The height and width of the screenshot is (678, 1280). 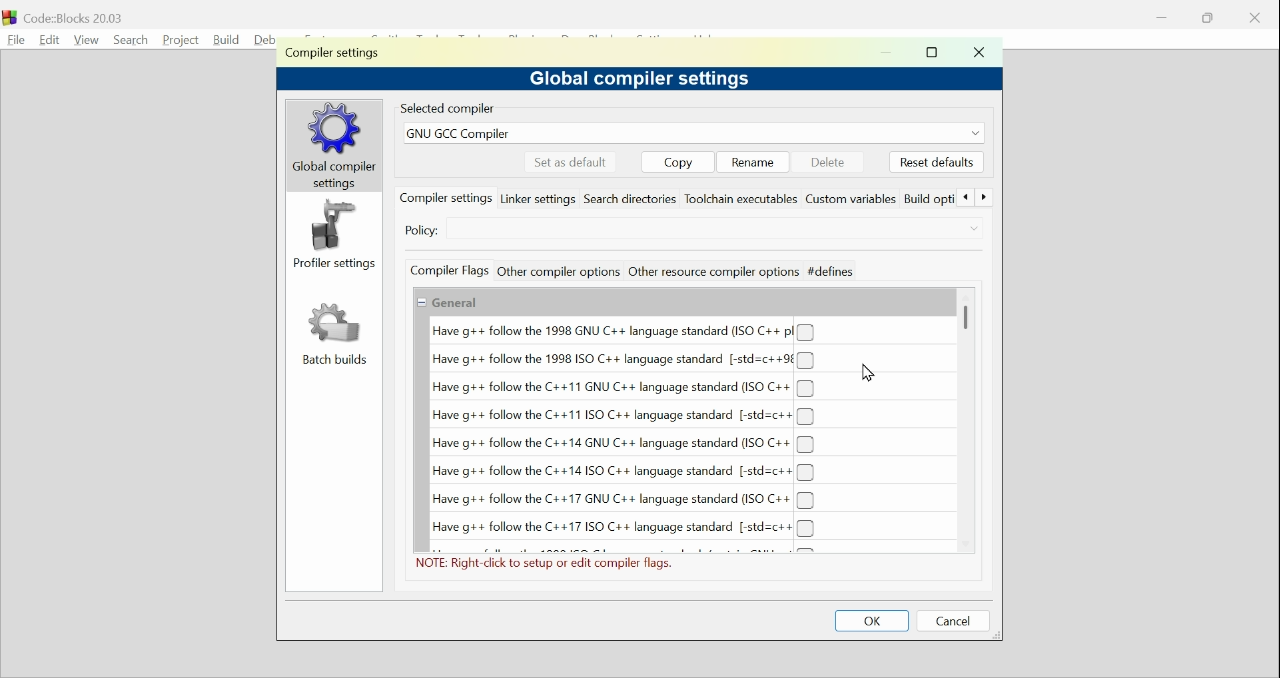 I want to click on Toolchain executables, so click(x=743, y=200).